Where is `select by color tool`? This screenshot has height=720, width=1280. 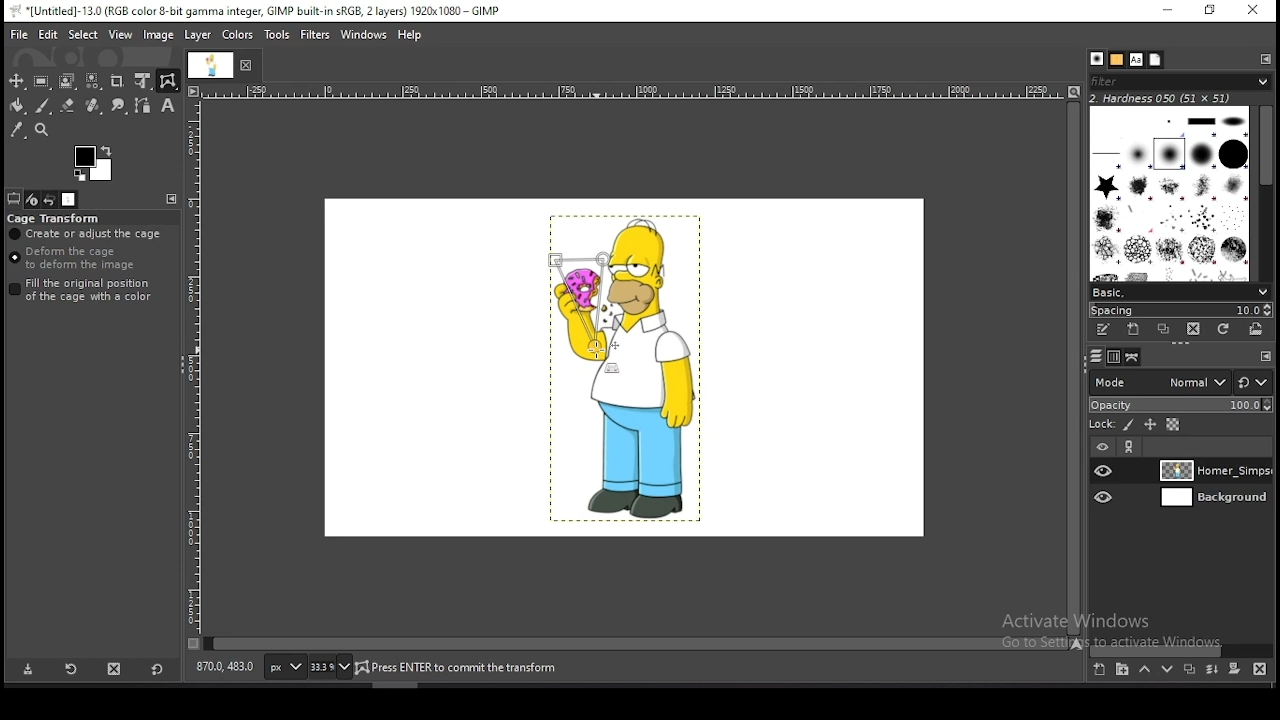
select by color tool is located at coordinates (93, 81).